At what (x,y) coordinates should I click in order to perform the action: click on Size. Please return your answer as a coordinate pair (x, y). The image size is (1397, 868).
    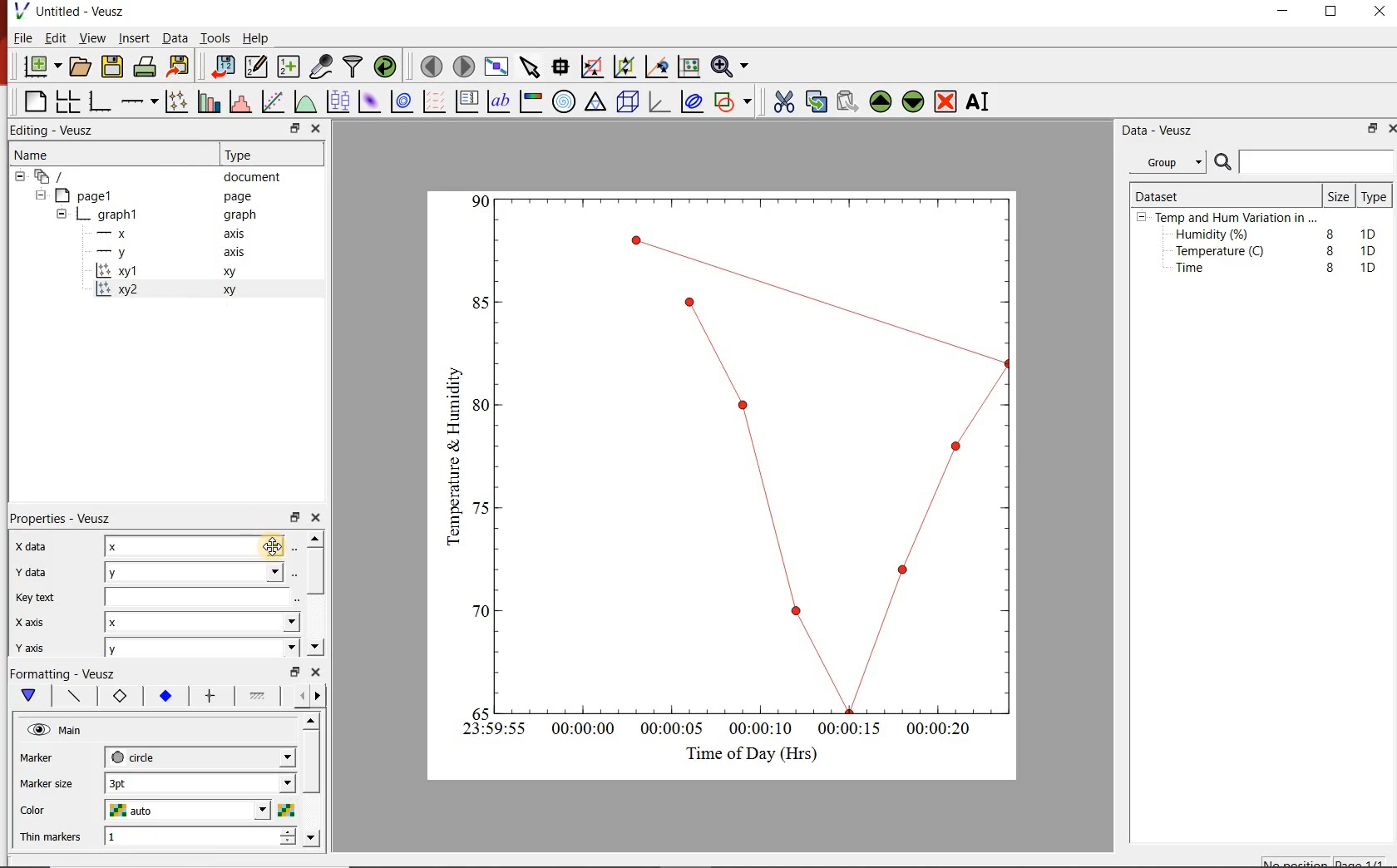
    Looking at the image, I should click on (1337, 195).